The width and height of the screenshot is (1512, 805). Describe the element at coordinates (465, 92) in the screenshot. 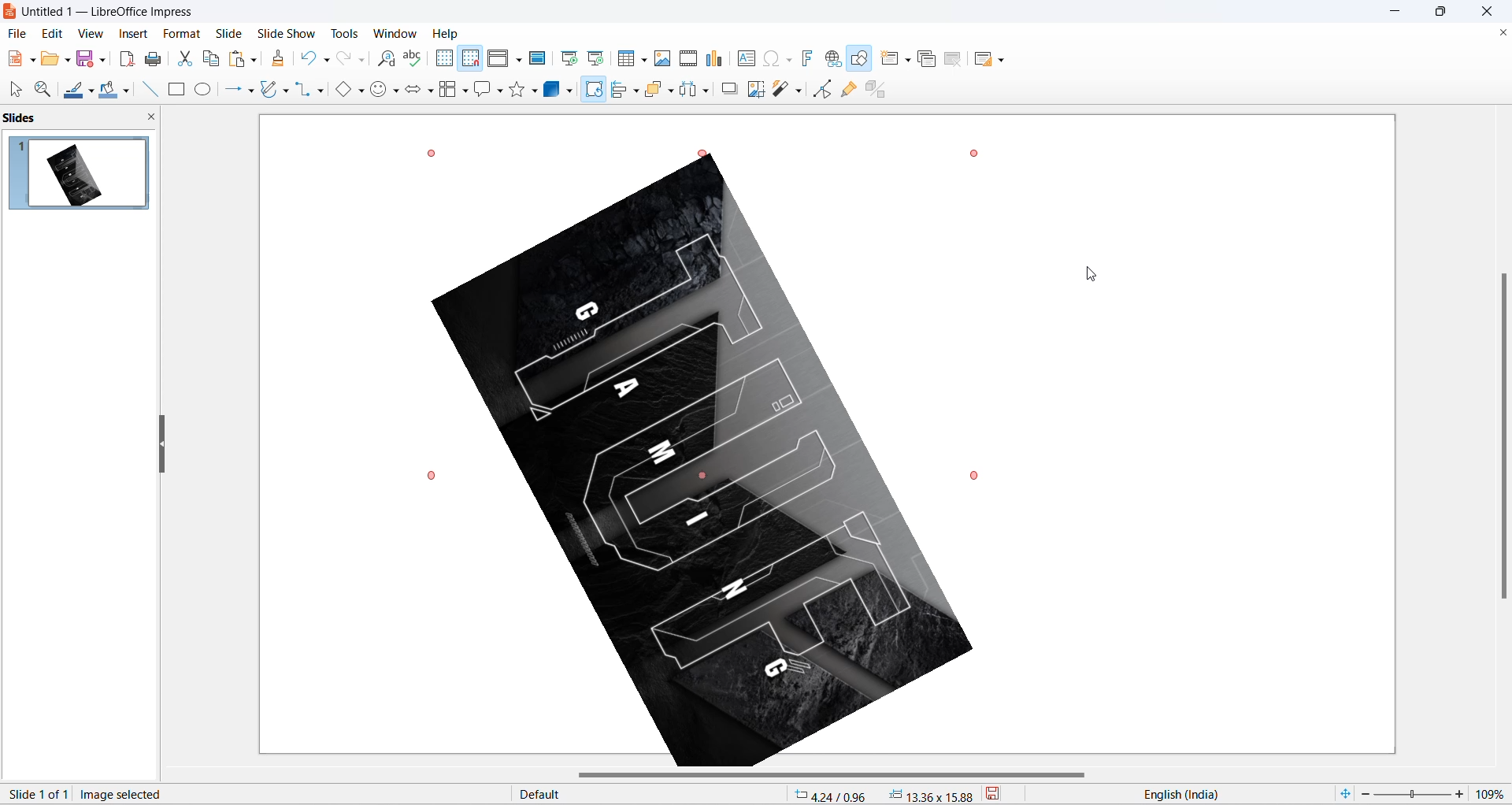

I see `flow chart options` at that location.